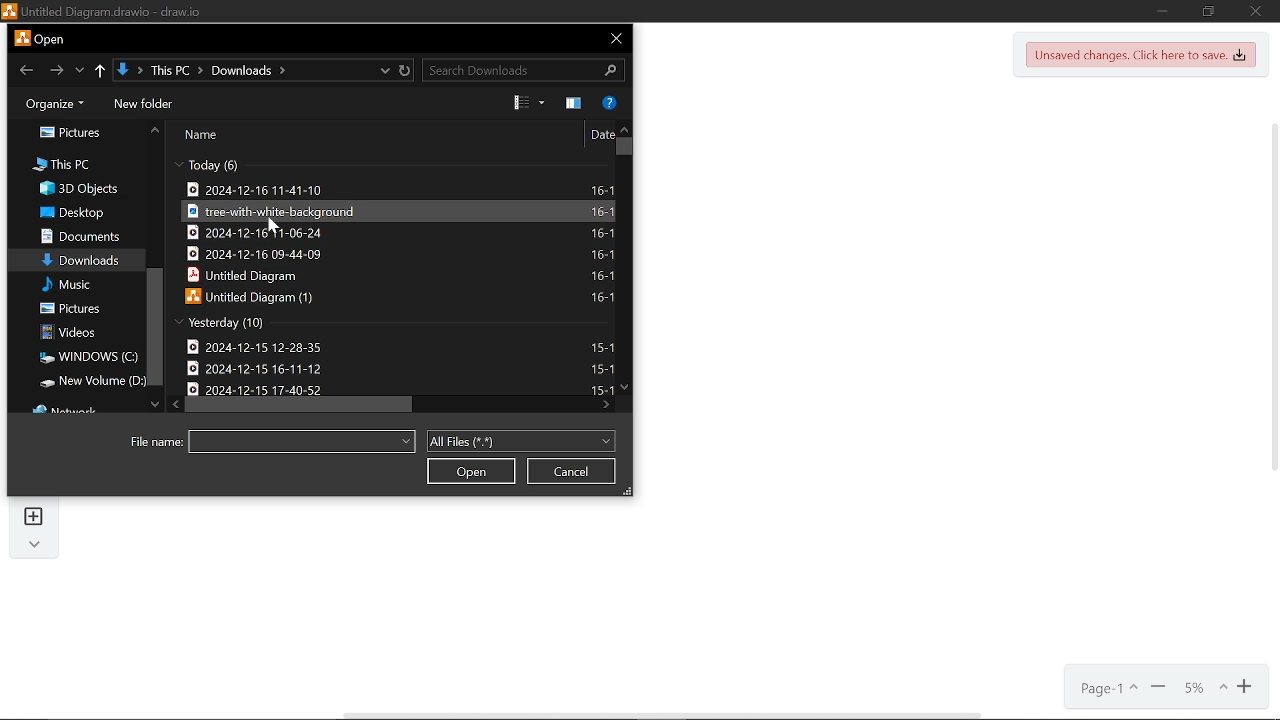 Image resolution: width=1280 pixels, height=720 pixels. Describe the element at coordinates (36, 547) in the screenshot. I see `collapse` at that location.